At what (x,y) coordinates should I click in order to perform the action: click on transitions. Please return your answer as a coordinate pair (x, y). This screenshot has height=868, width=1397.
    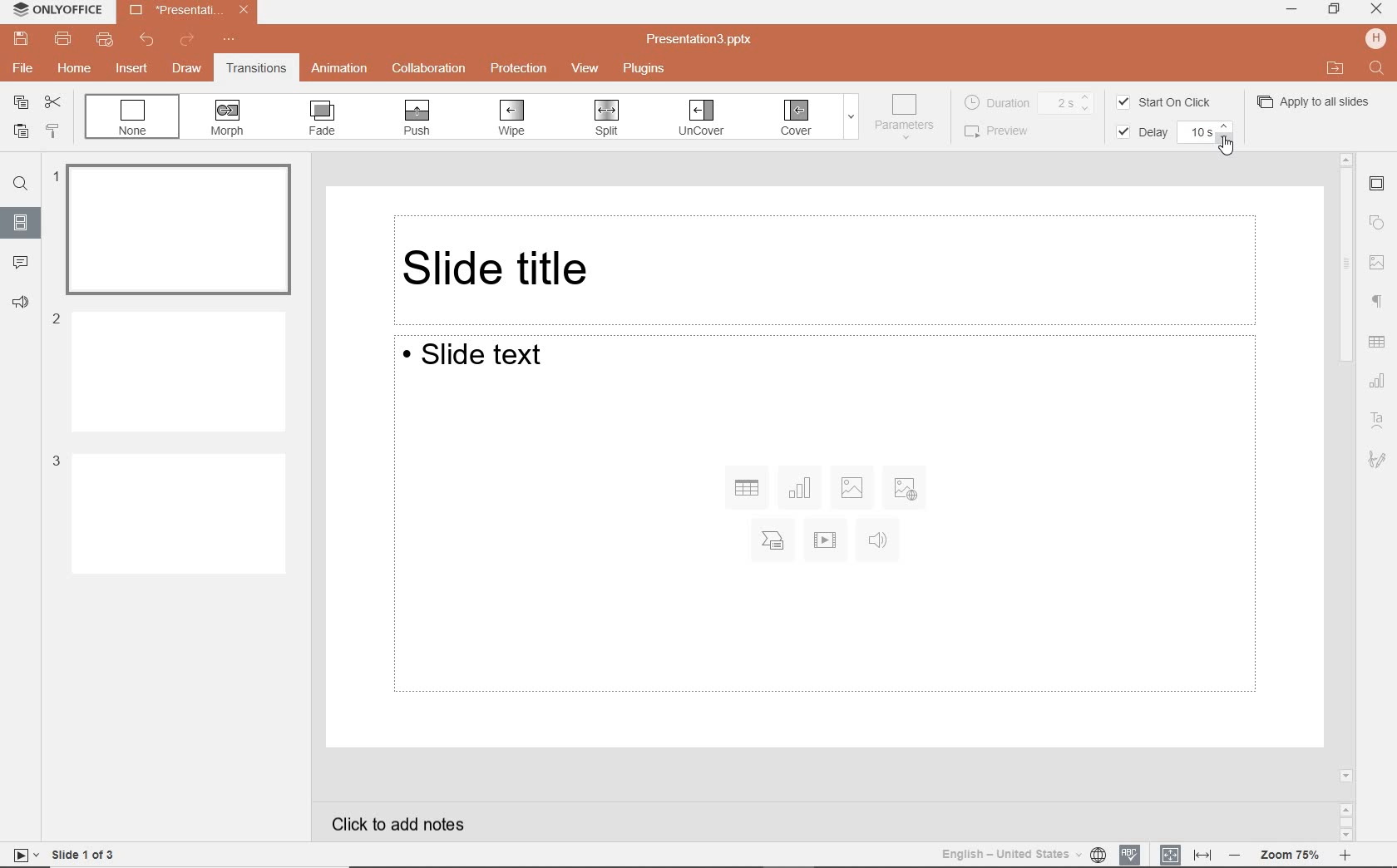
    Looking at the image, I should click on (255, 70).